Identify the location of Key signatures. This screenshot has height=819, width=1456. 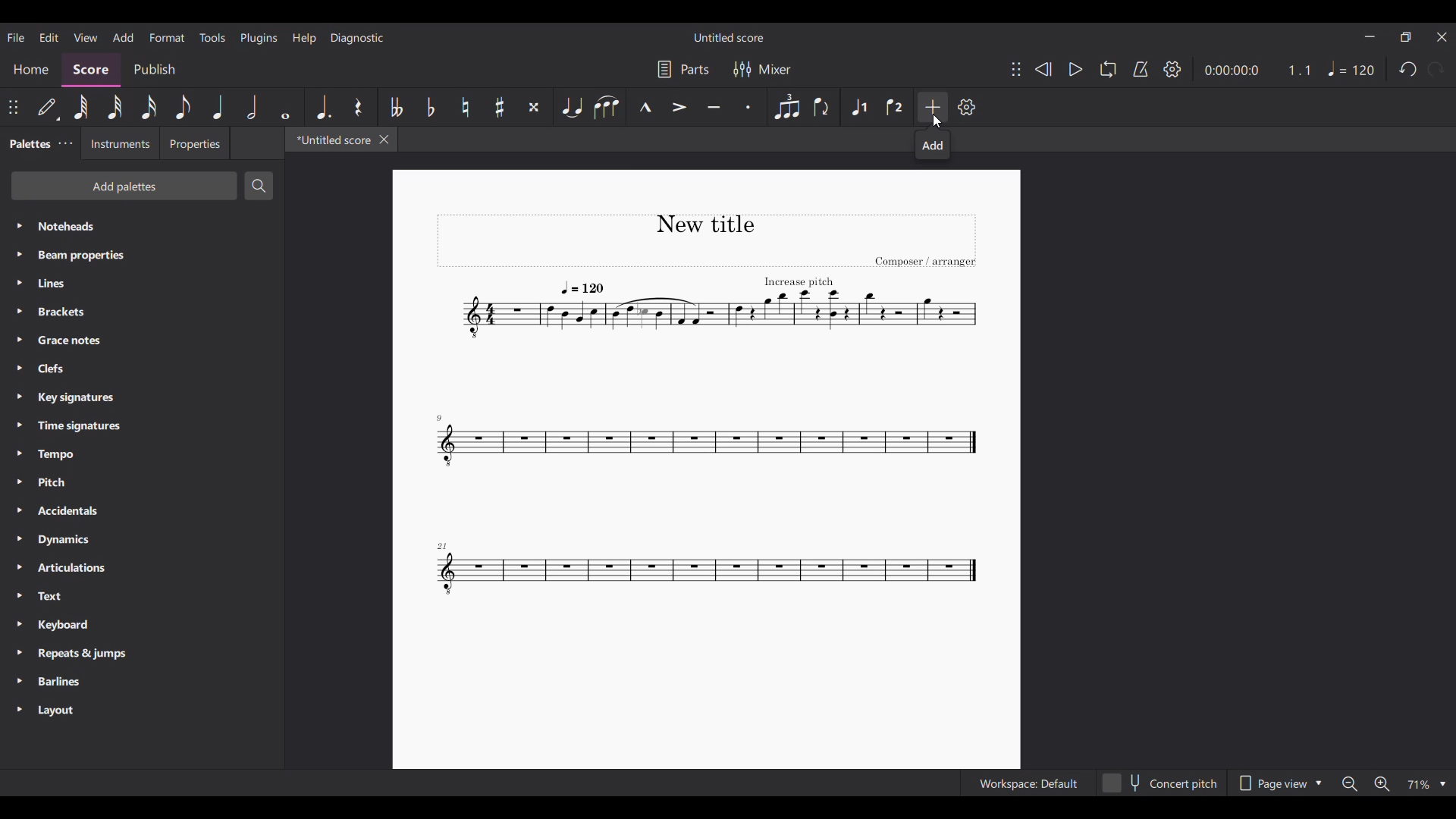
(142, 398).